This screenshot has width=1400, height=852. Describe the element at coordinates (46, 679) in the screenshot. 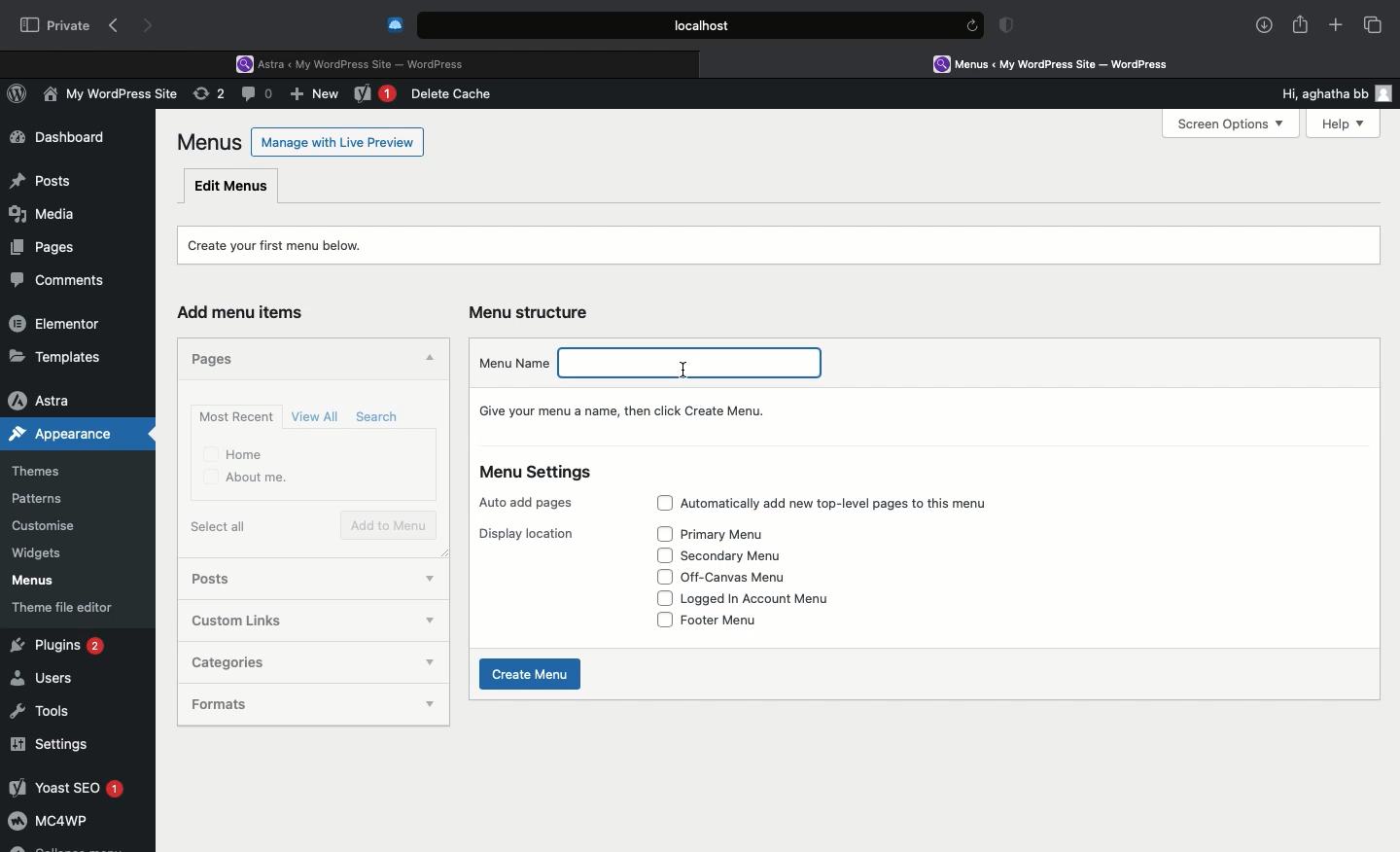

I see `Users` at that location.